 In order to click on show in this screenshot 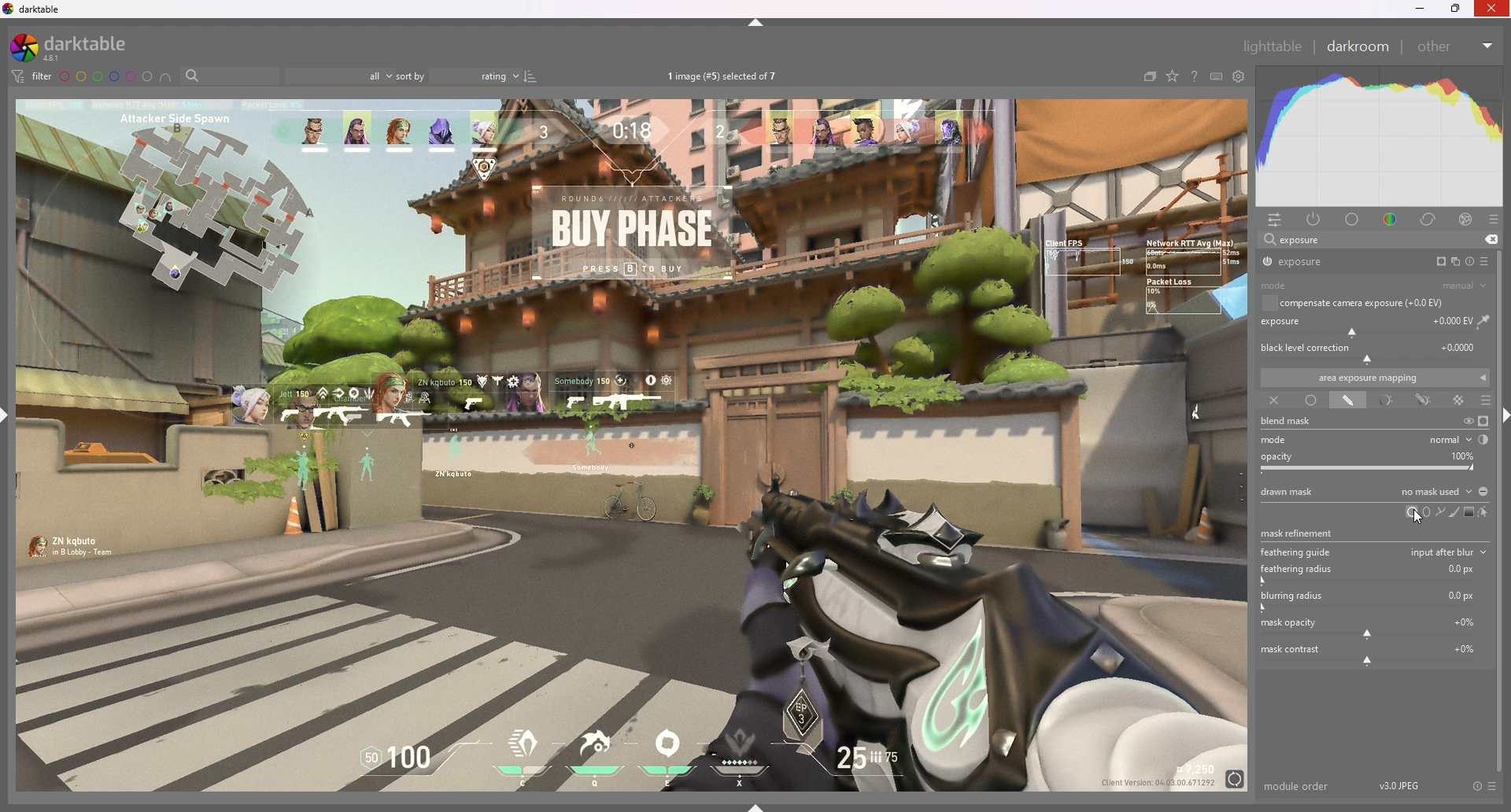, I will do `click(756, 806)`.